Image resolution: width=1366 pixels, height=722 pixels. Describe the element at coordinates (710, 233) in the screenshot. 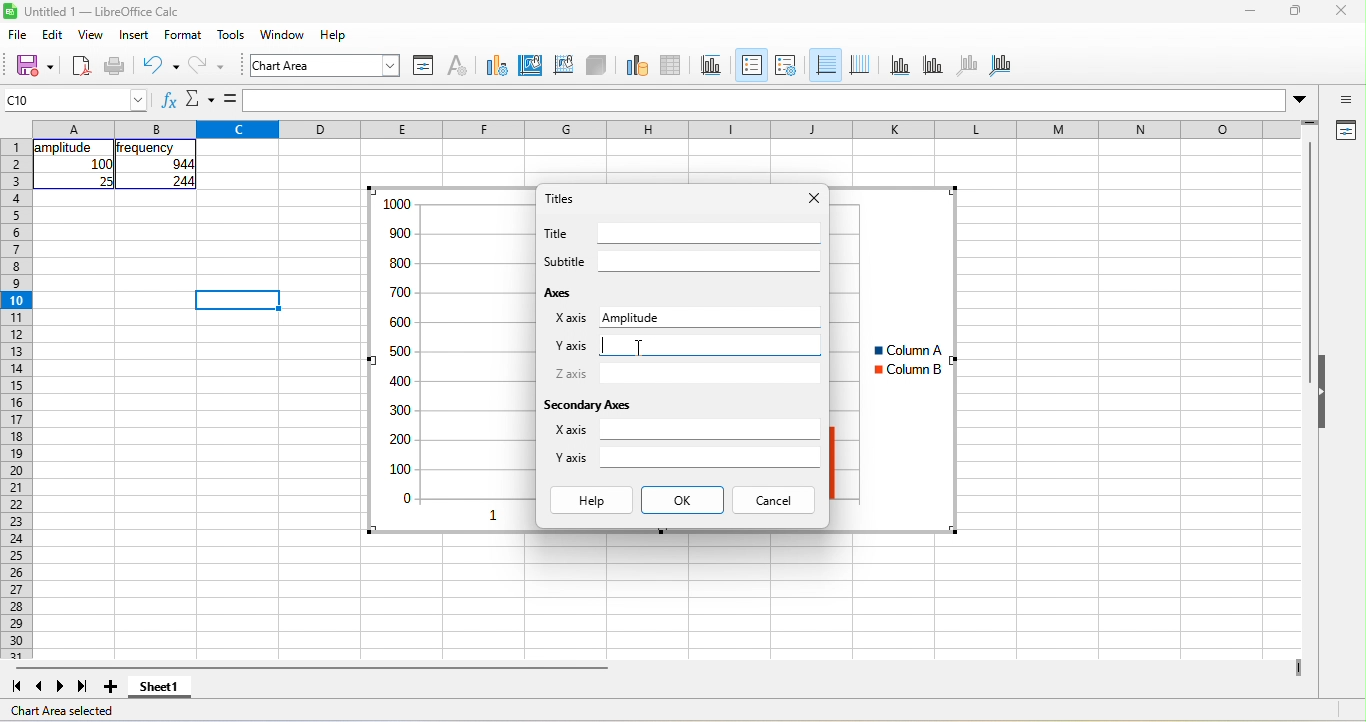

I see `Input for title` at that location.